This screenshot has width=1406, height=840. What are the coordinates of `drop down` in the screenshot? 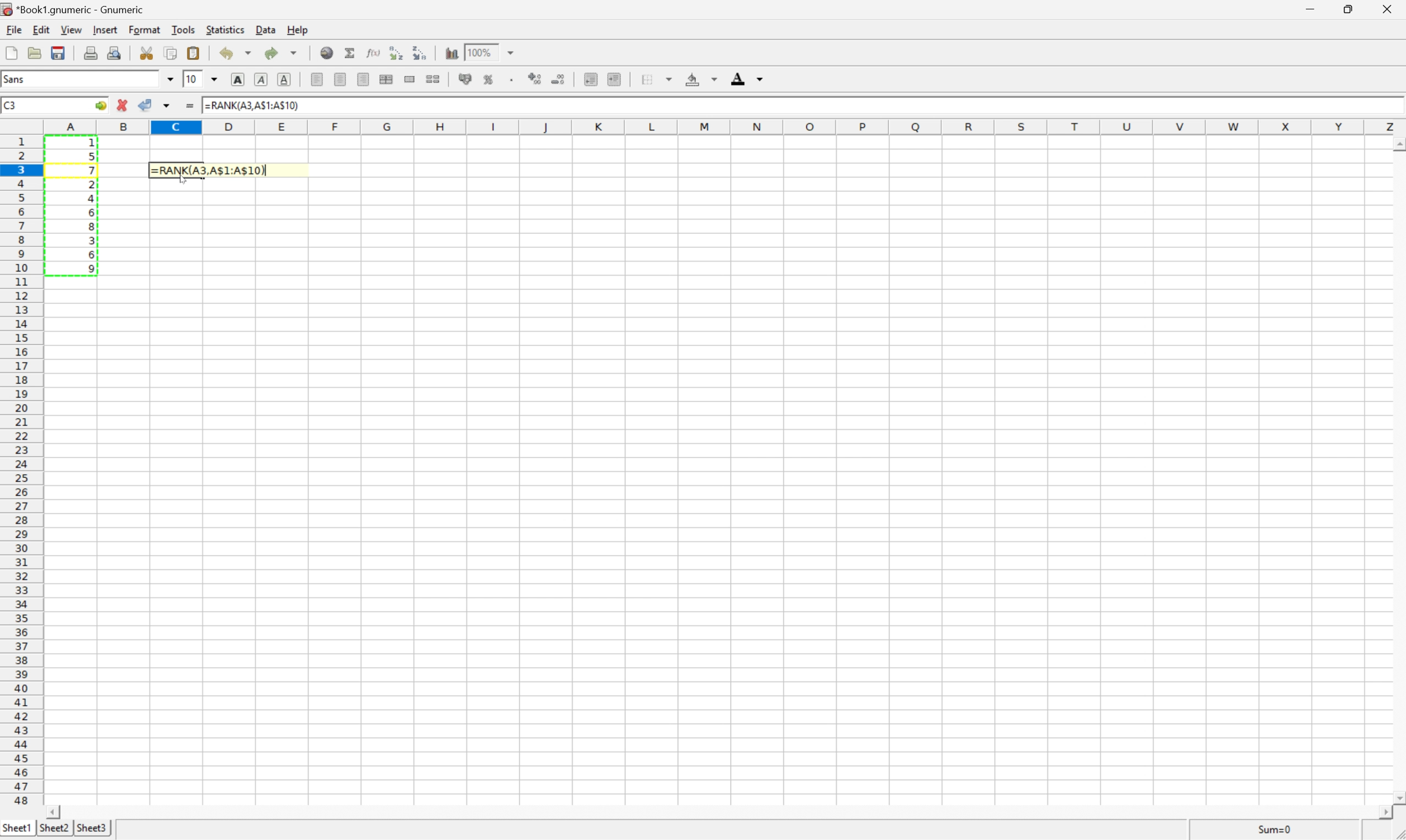 It's located at (514, 52).